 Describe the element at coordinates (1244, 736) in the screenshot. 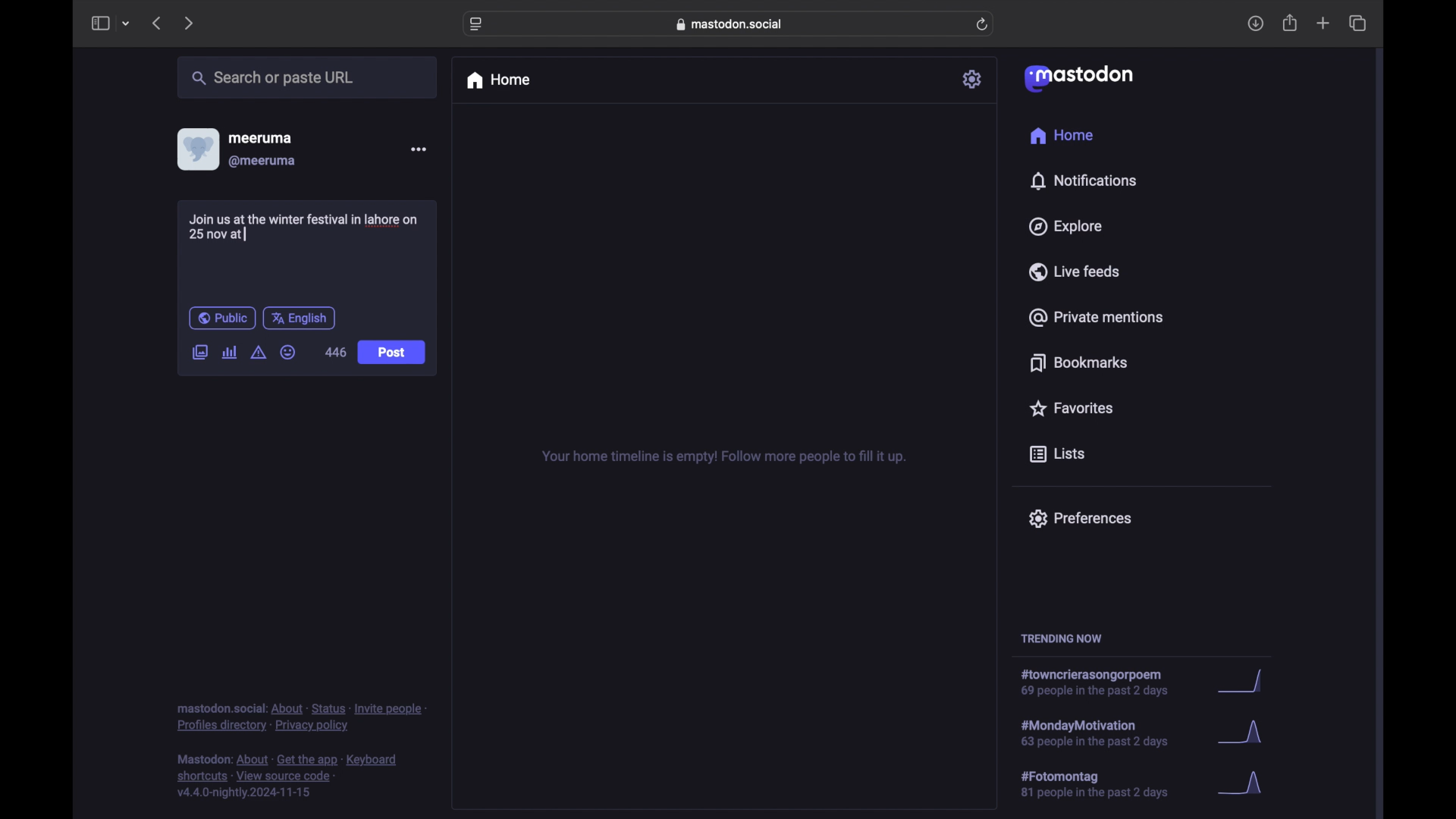

I see `graph` at that location.